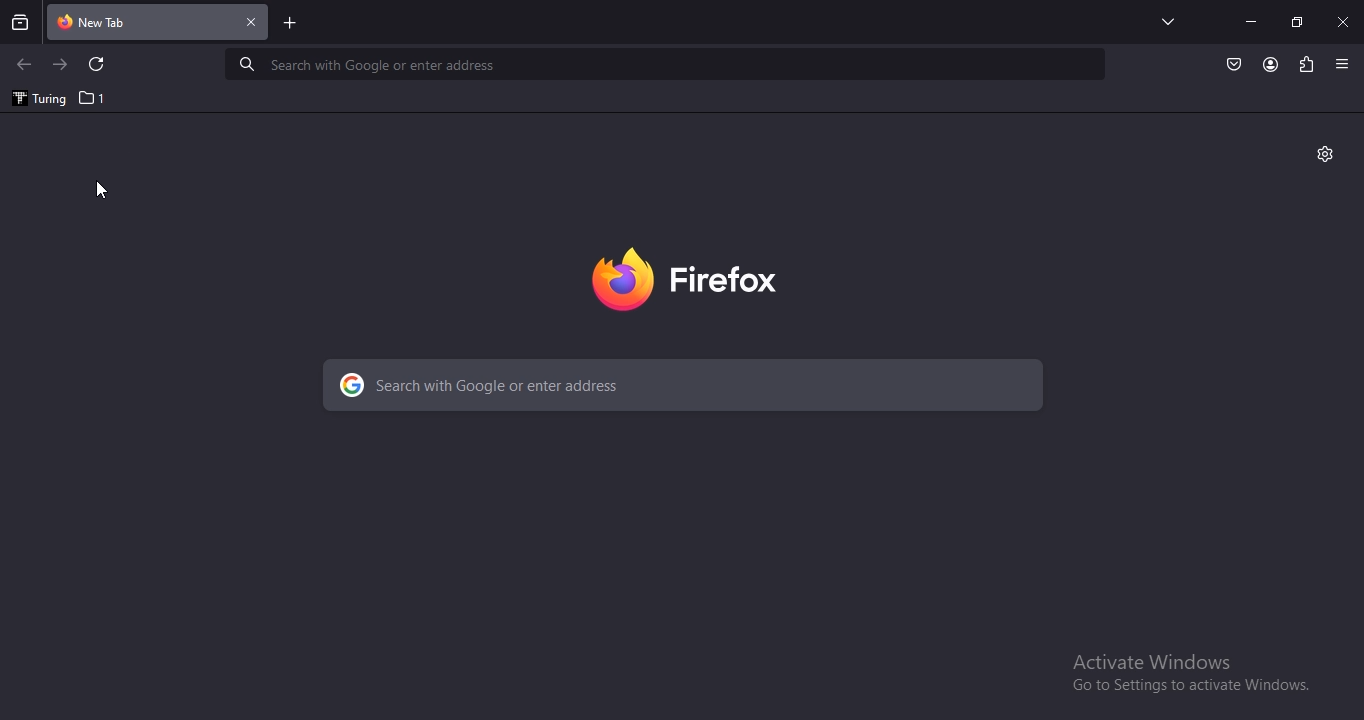 This screenshot has width=1364, height=720. Describe the element at coordinates (159, 23) in the screenshot. I see `current tab` at that location.